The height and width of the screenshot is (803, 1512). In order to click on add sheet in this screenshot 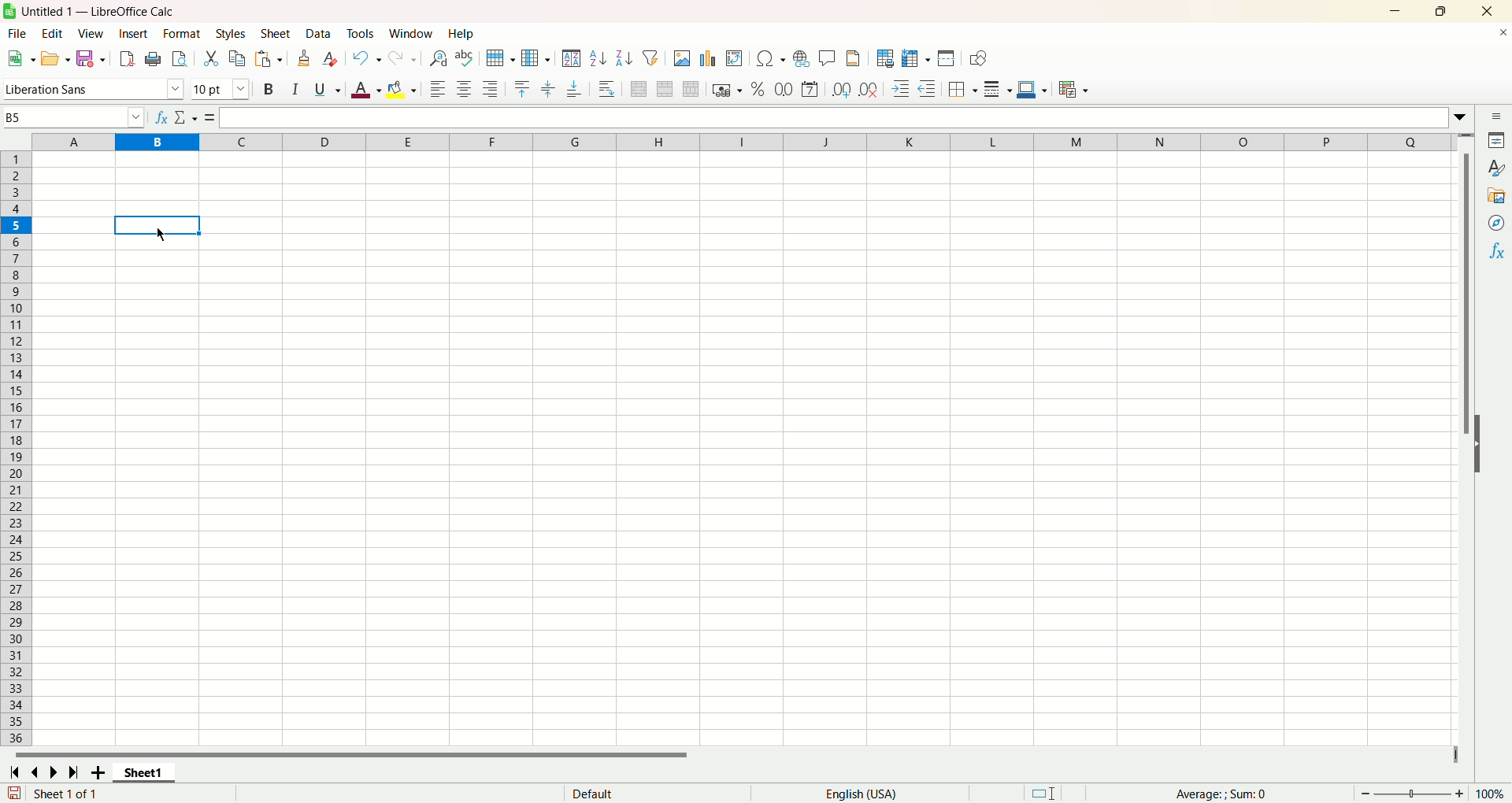, I will do `click(100, 772)`.